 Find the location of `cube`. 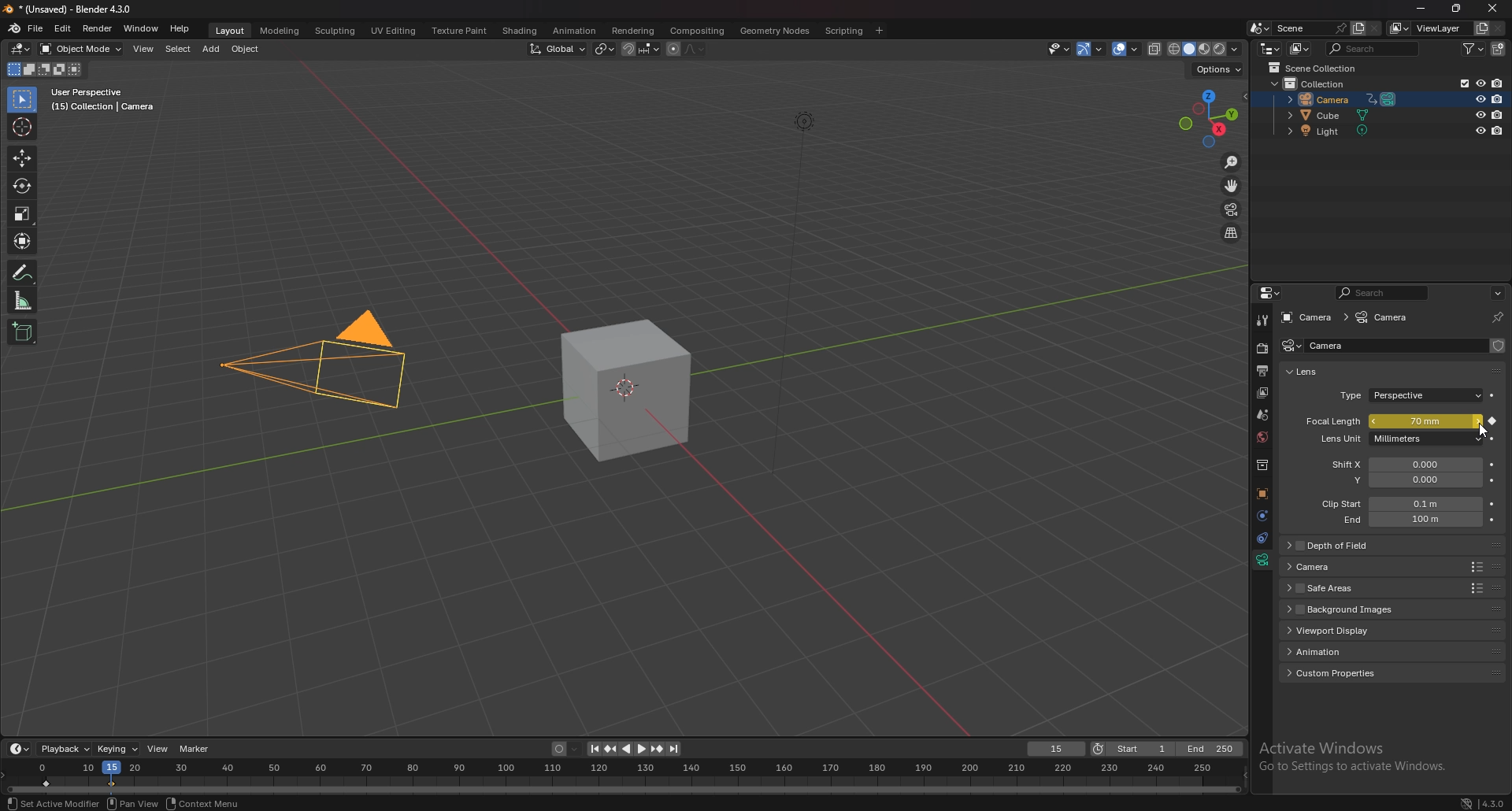

cube is located at coordinates (624, 391).